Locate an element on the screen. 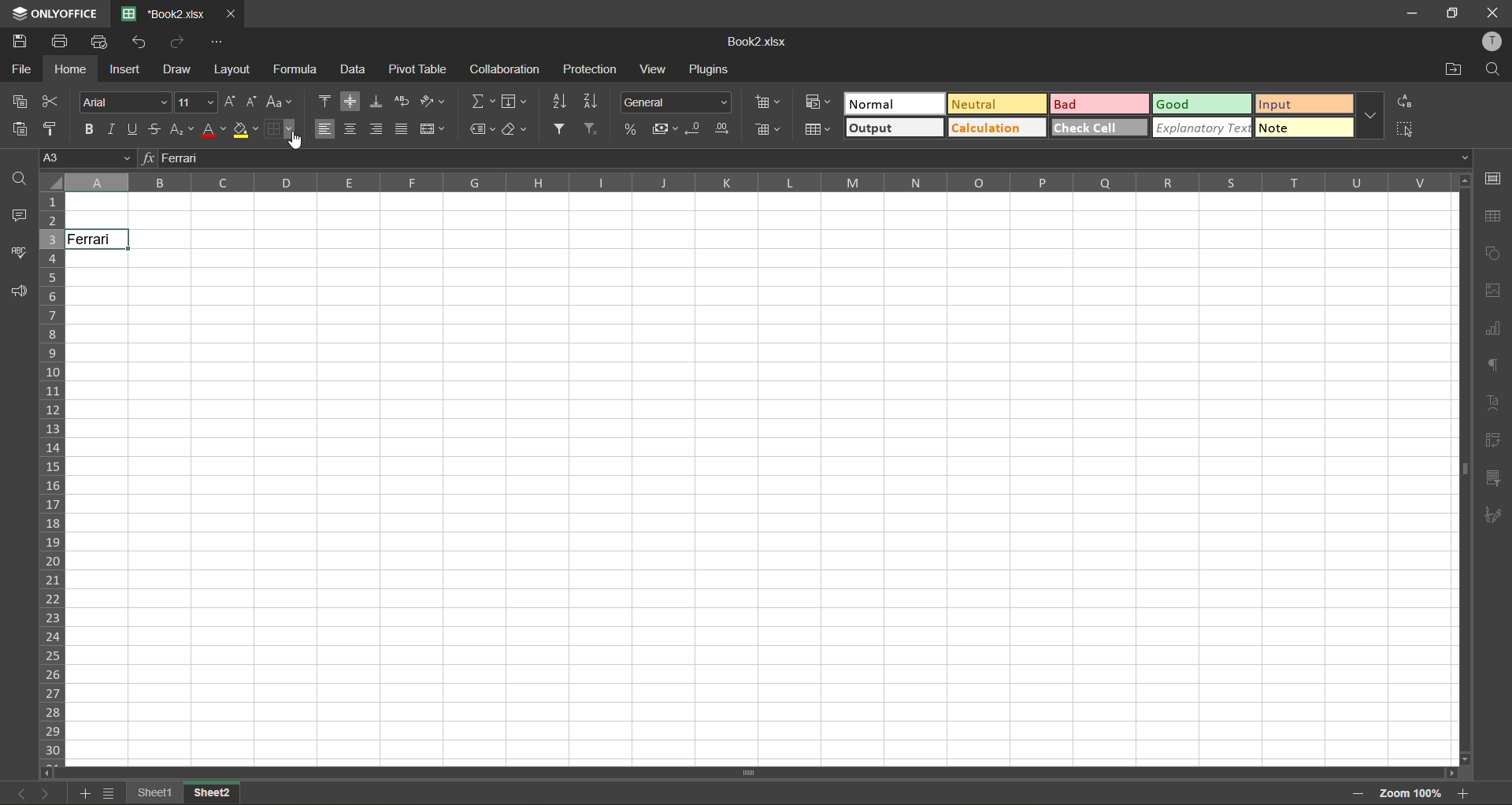 Image resolution: width=1512 pixels, height=805 pixels. add sheet is located at coordinates (82, 794).